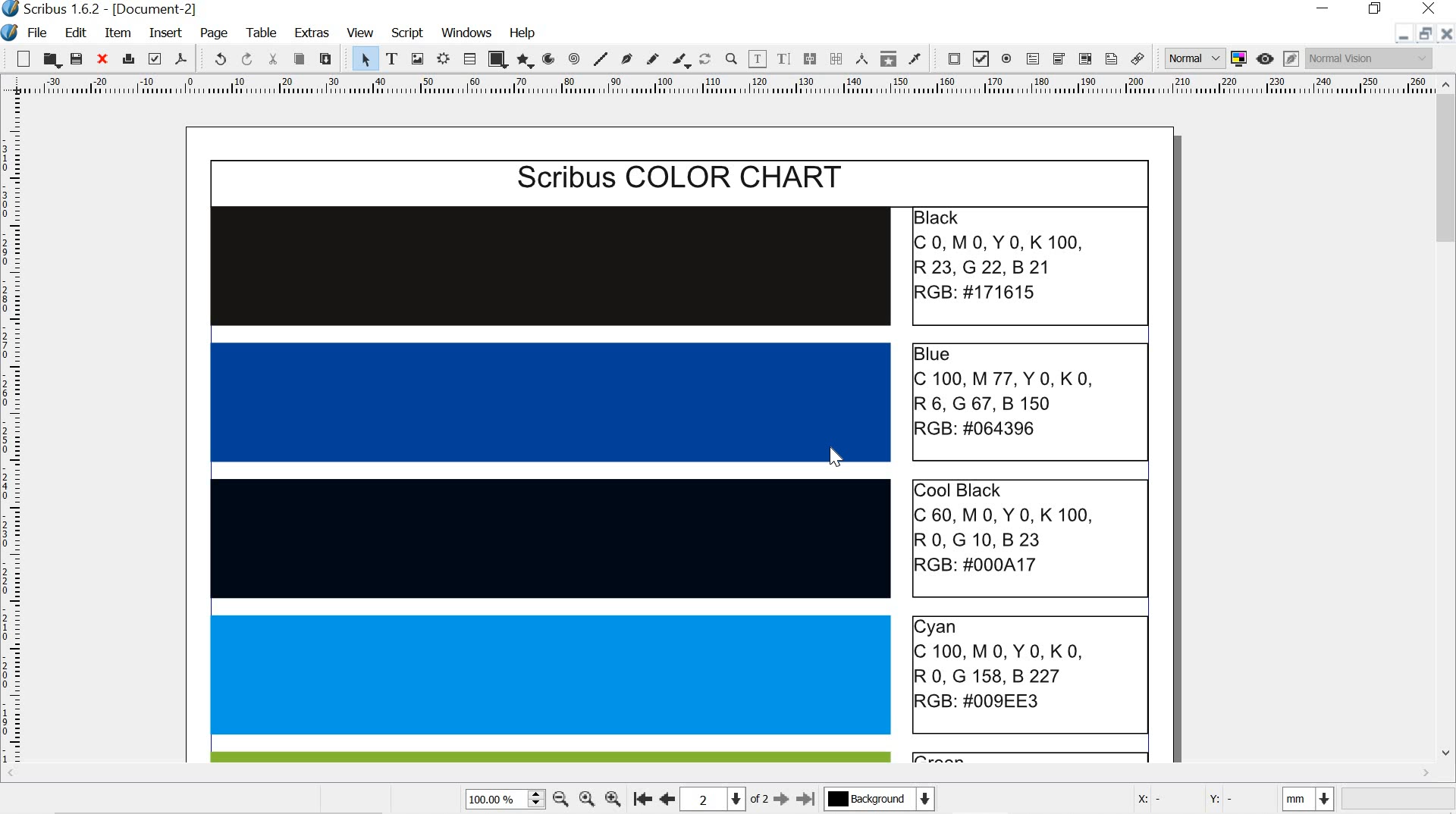  Describe the element at coordinates (218, 33) in the screenshot. I see `page` at that location.